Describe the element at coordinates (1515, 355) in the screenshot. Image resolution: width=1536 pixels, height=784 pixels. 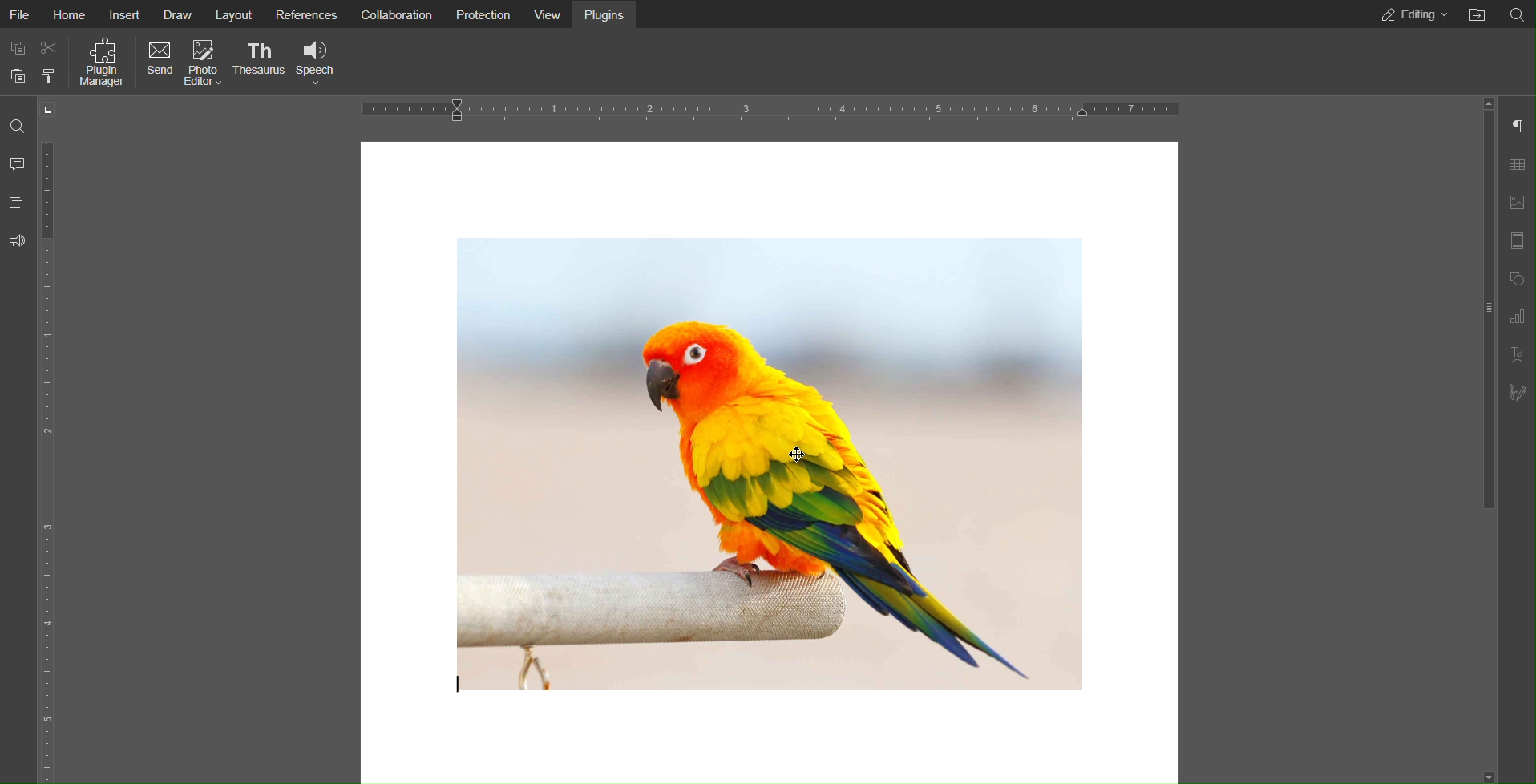
I see `Text Art` at that location.